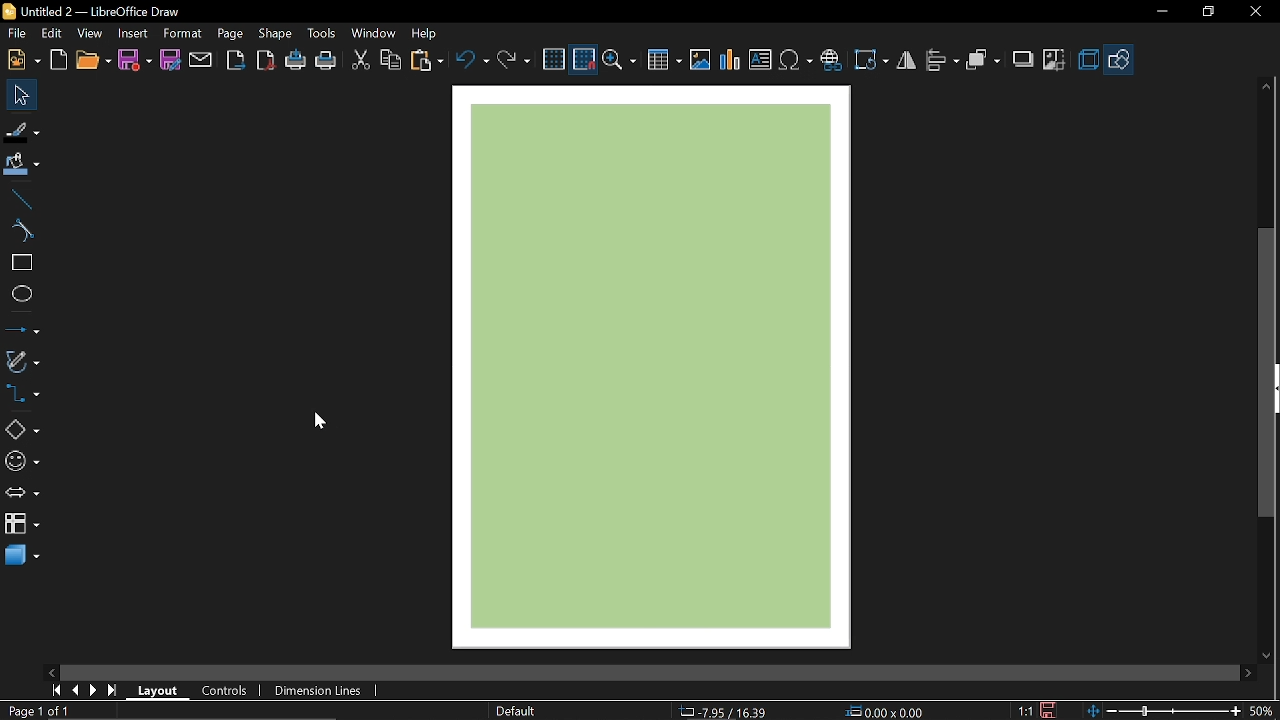  What do you see at coordinates (265, 60) in the screenshot?
I see `Export as pdf` at bounding box center [265, 60].